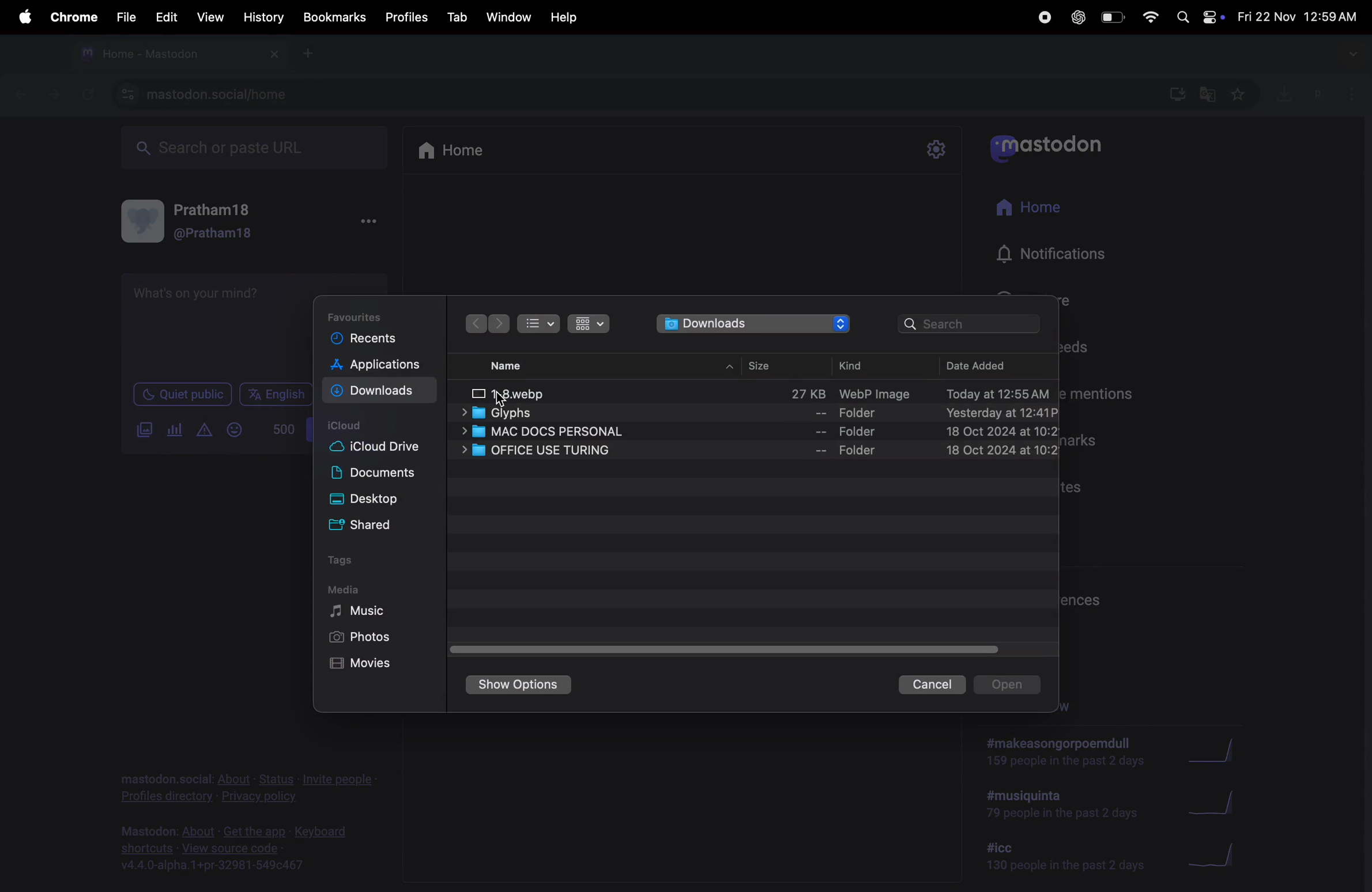 The height and width of the screenshot is (892, 1372). Describe the element at coordinates (752, 452) in the screenshot. I see `office files` at that location.